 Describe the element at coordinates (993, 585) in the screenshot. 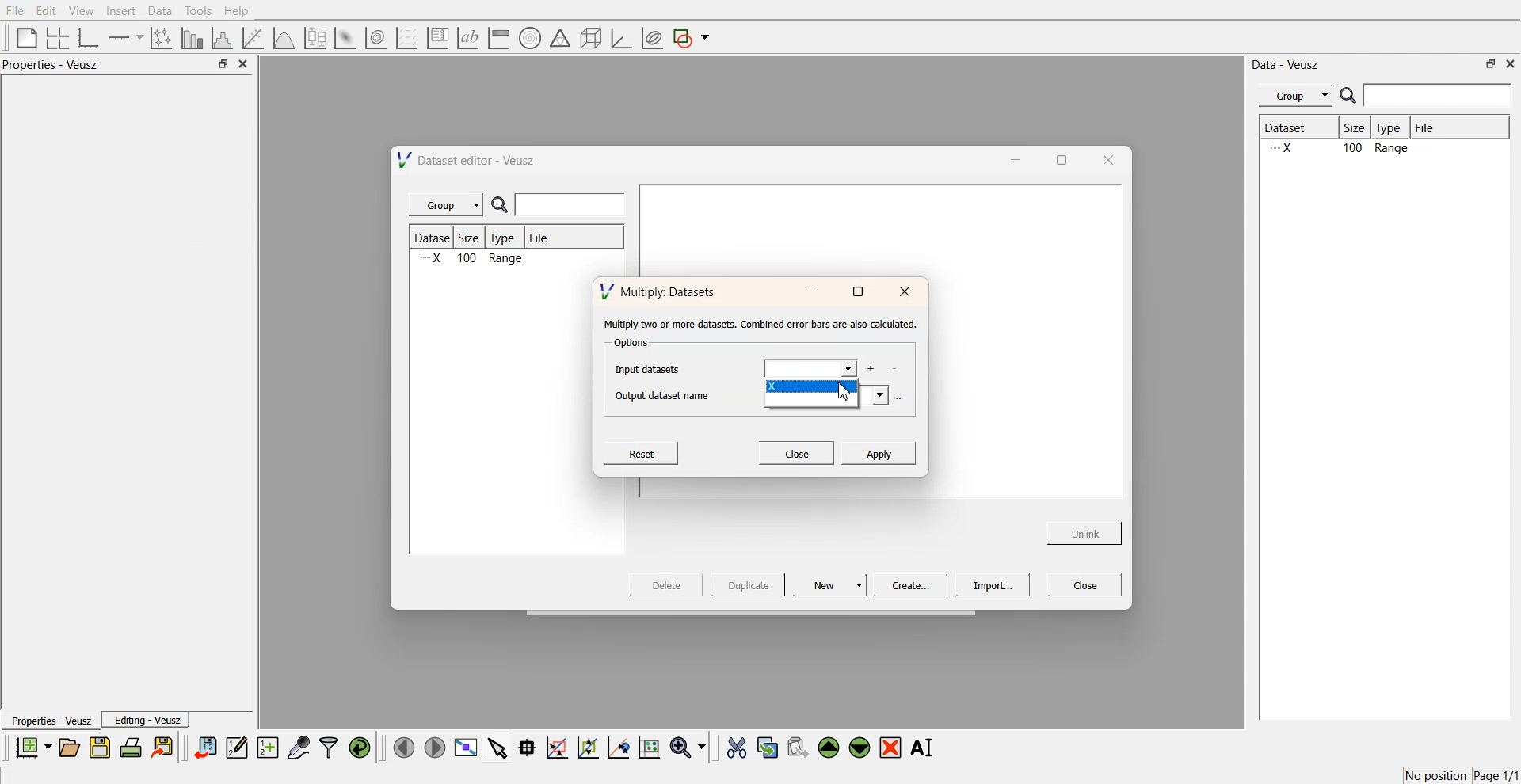

I see `Import...` at that location.